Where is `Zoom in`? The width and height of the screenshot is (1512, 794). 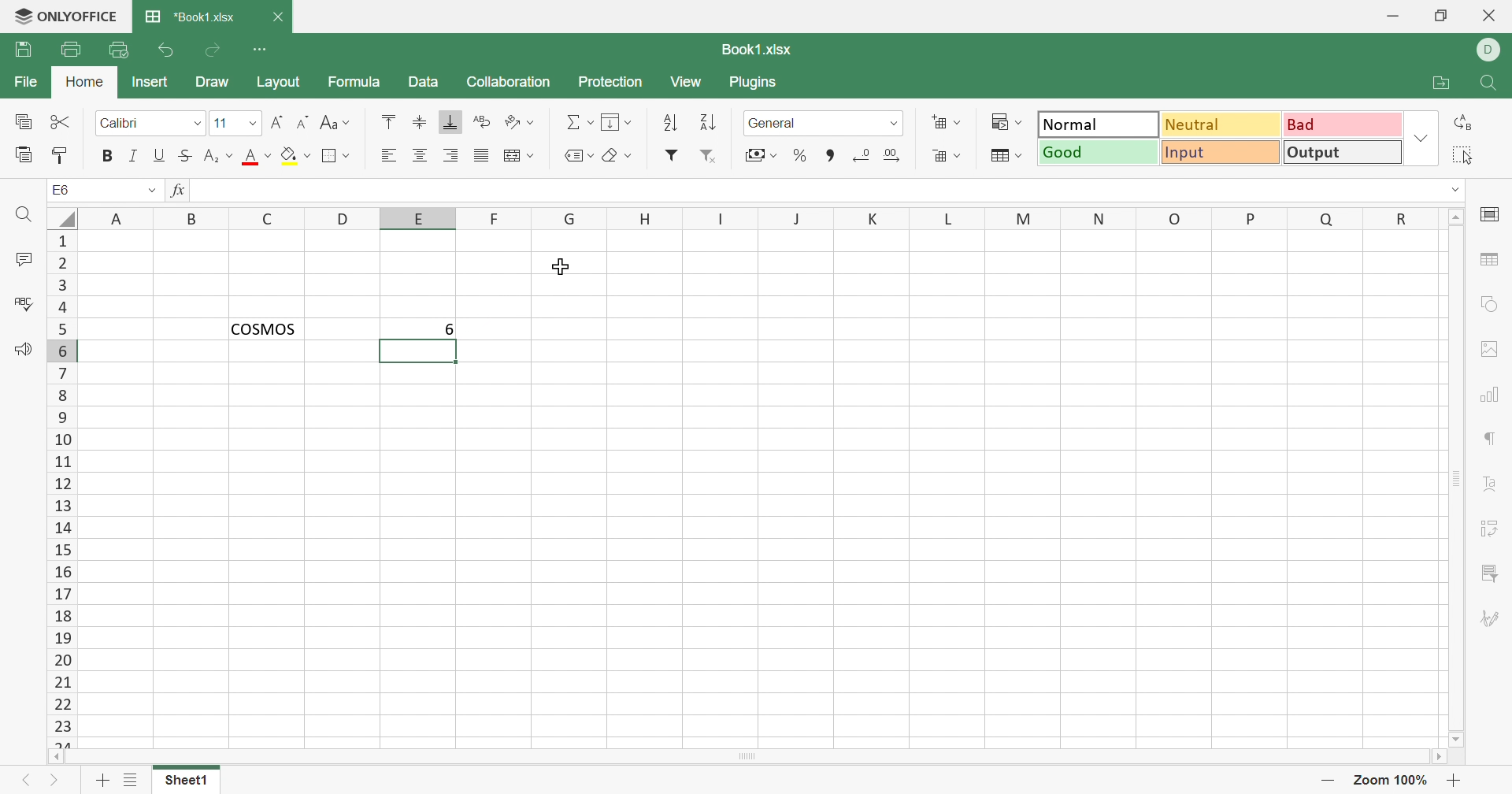
Zoom in is located at coordinates (1456, 781).